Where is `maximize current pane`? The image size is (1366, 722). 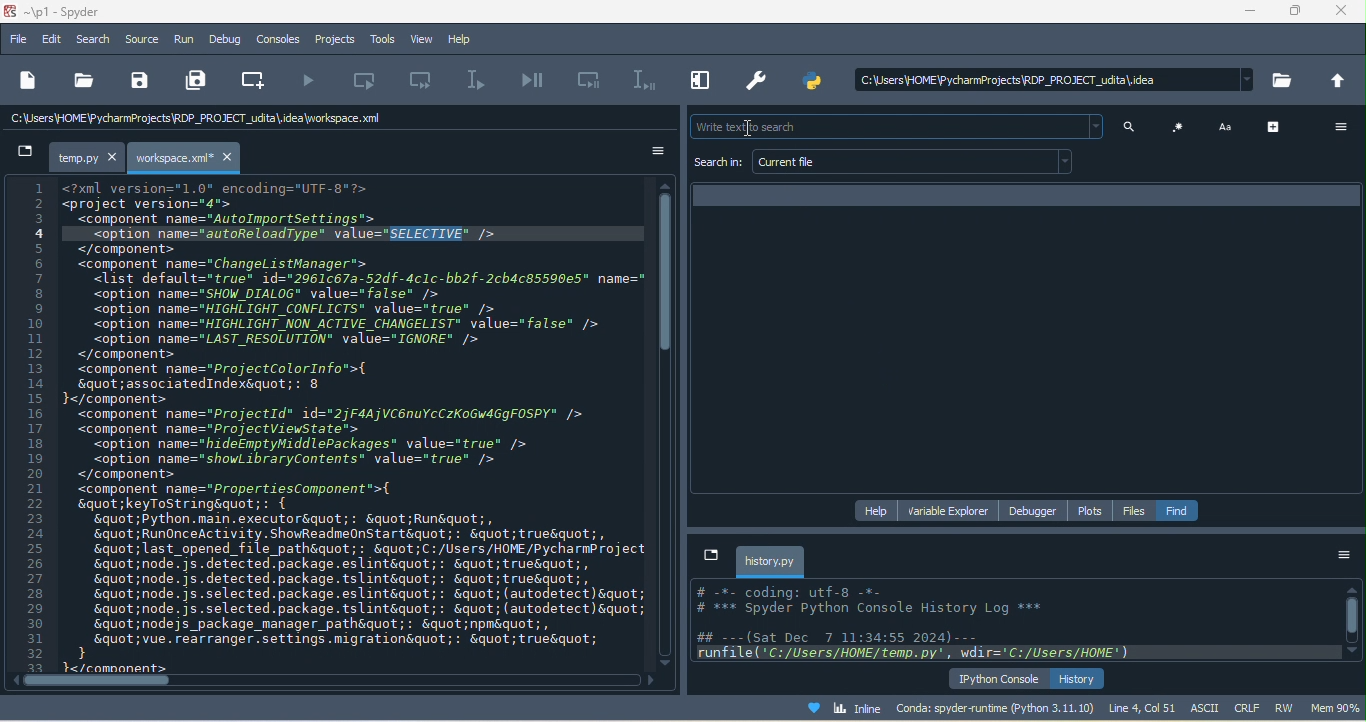
maximize current pane is located at coordinates (697, 83).